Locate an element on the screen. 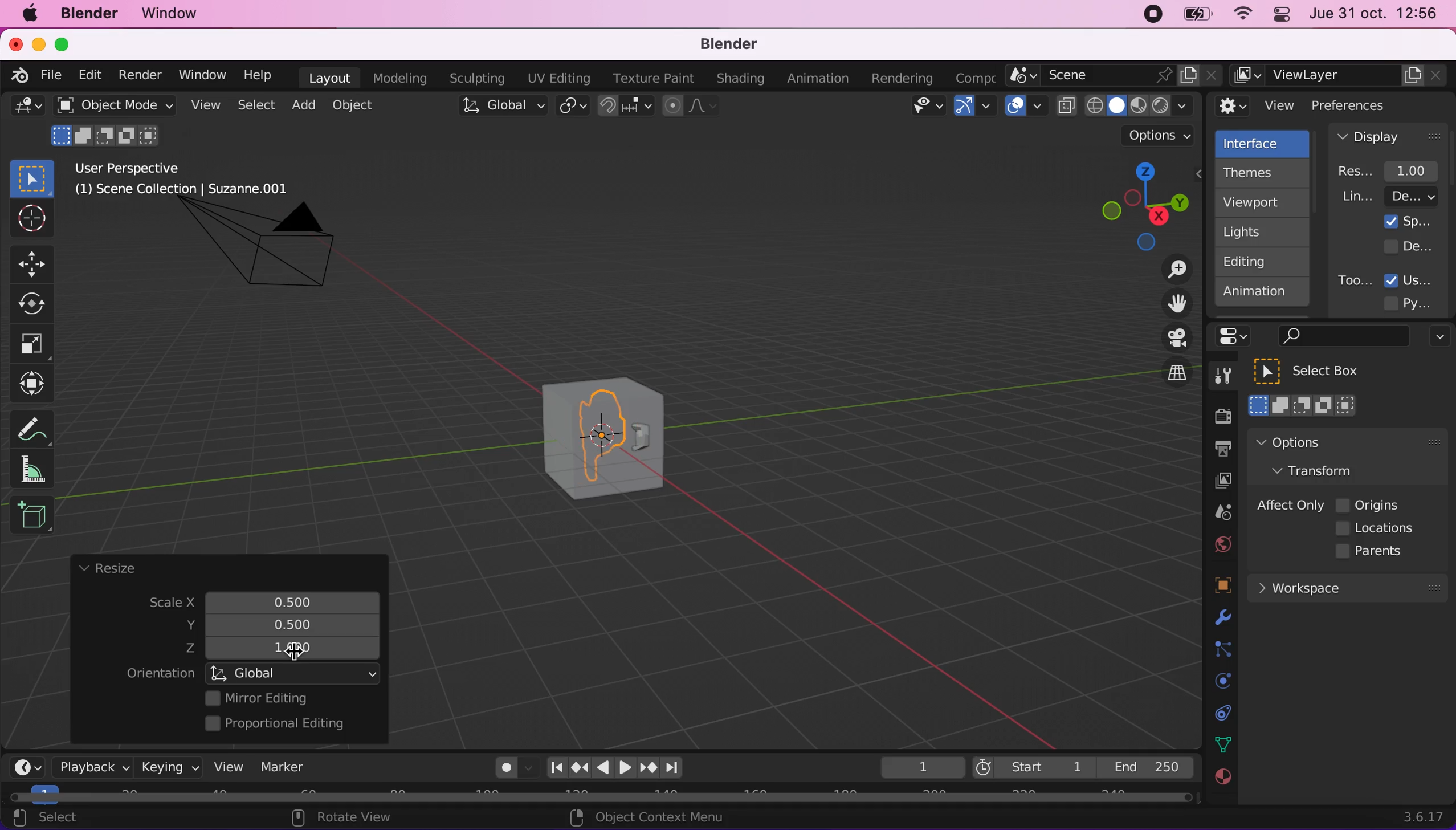  marker is located at coordinates (283, 767).